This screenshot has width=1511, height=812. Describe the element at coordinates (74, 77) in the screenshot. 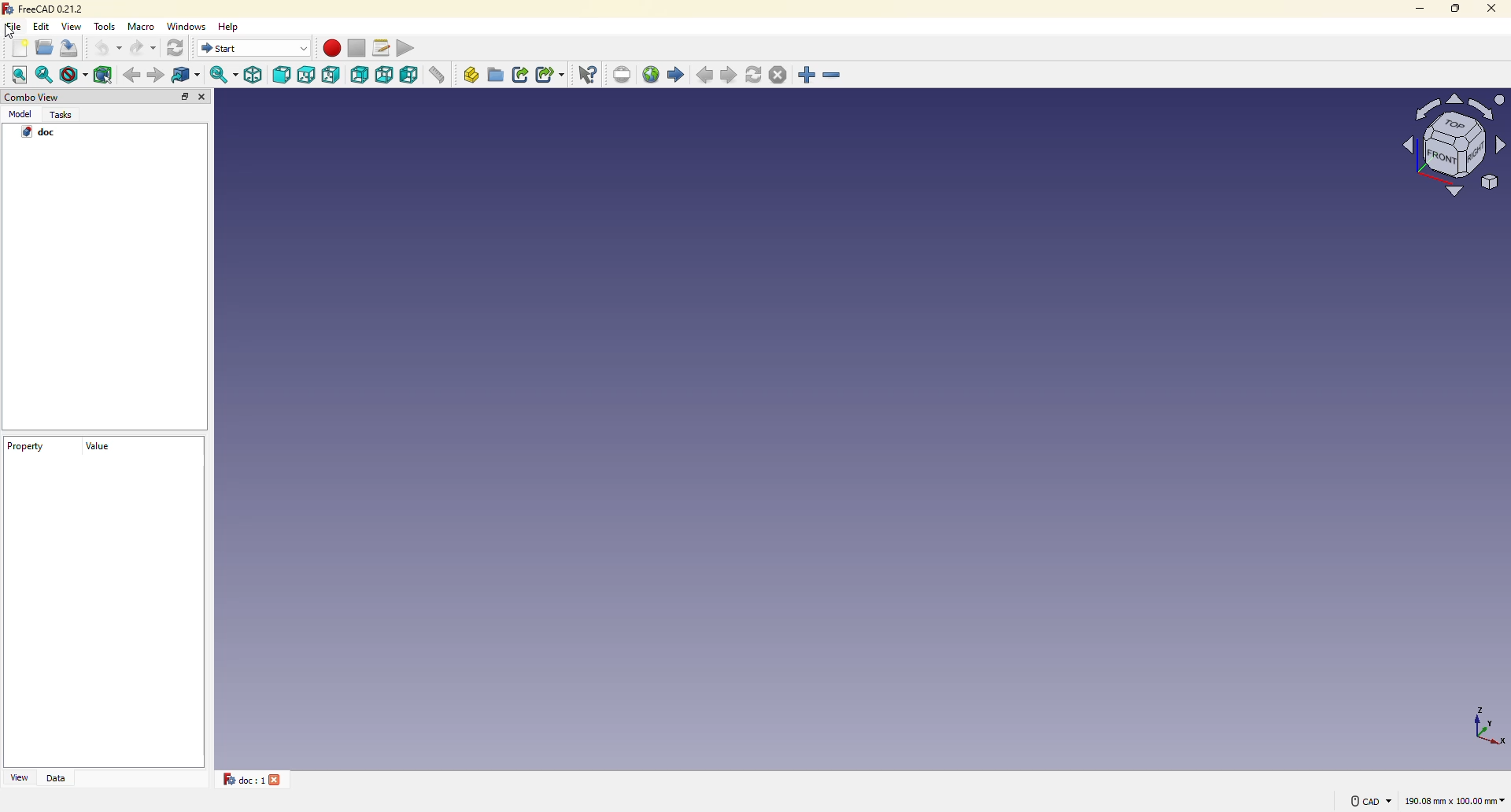

I see `draw style` at that location.